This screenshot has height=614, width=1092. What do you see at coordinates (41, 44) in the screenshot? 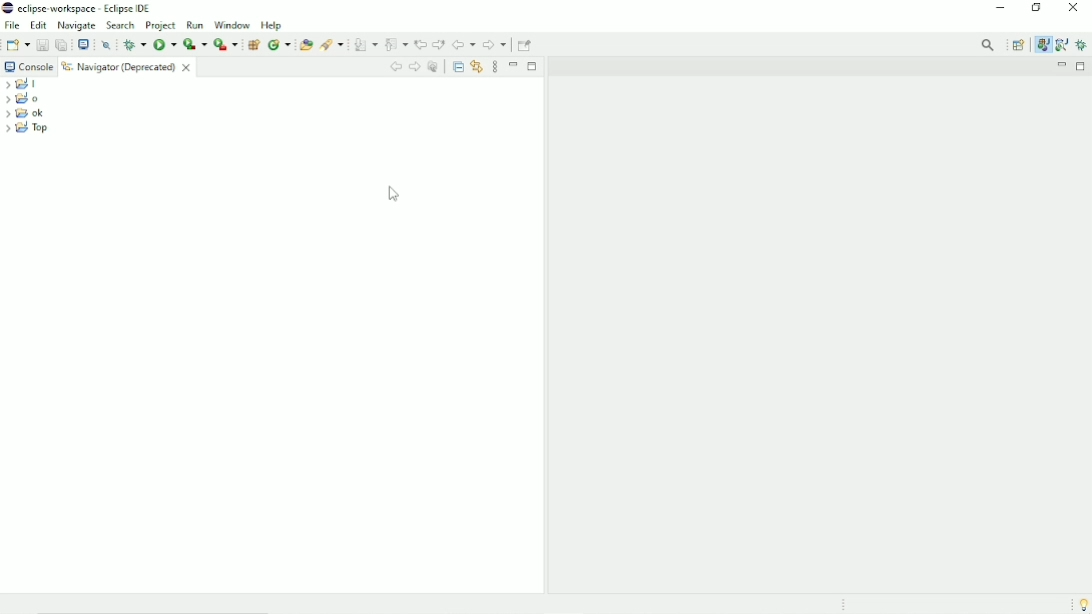
I see `Save` at bounding box center [41, 44].